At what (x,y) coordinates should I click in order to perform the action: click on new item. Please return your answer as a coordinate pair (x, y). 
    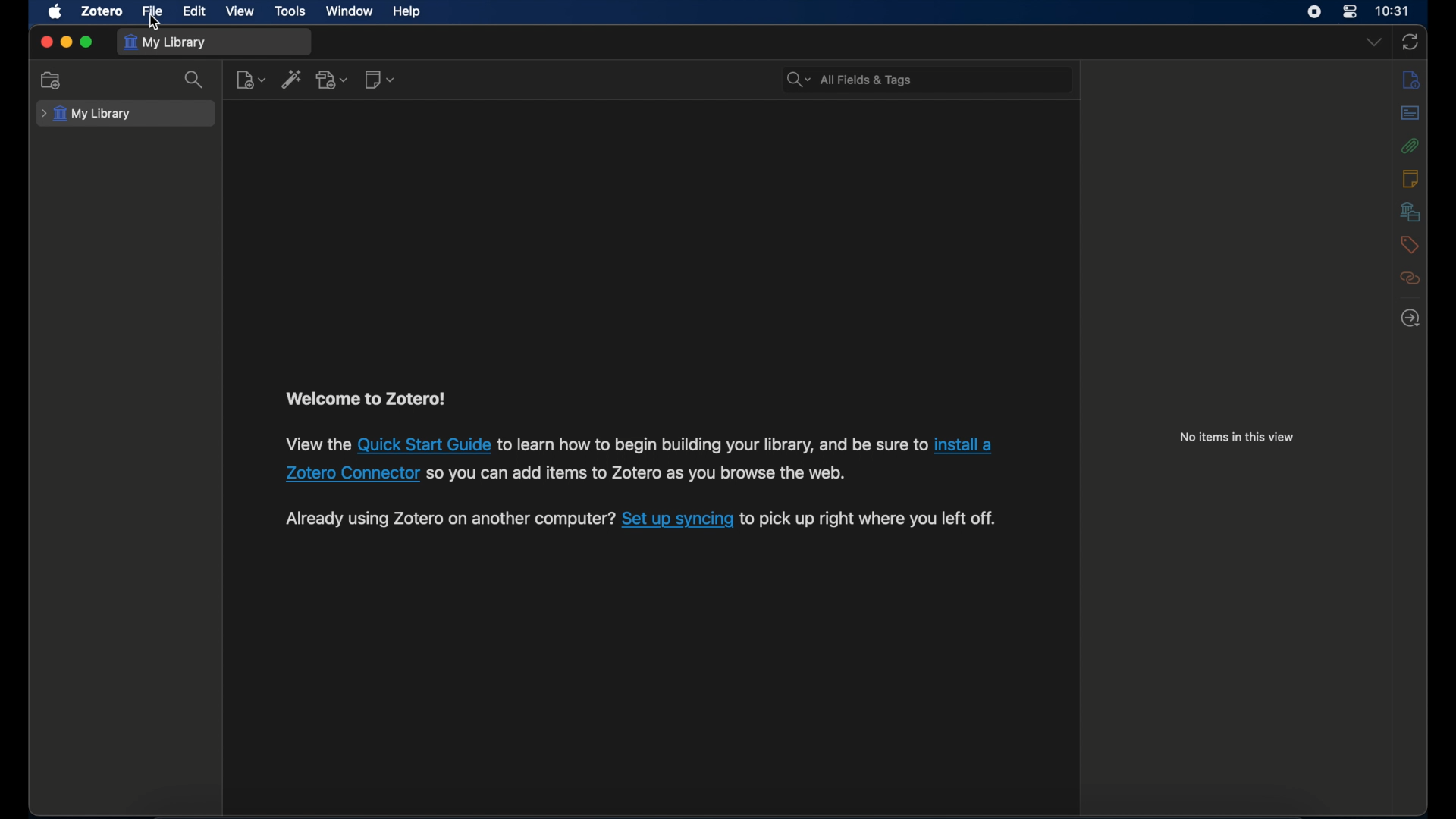
    Looking at the image, I should click on (251, 79).